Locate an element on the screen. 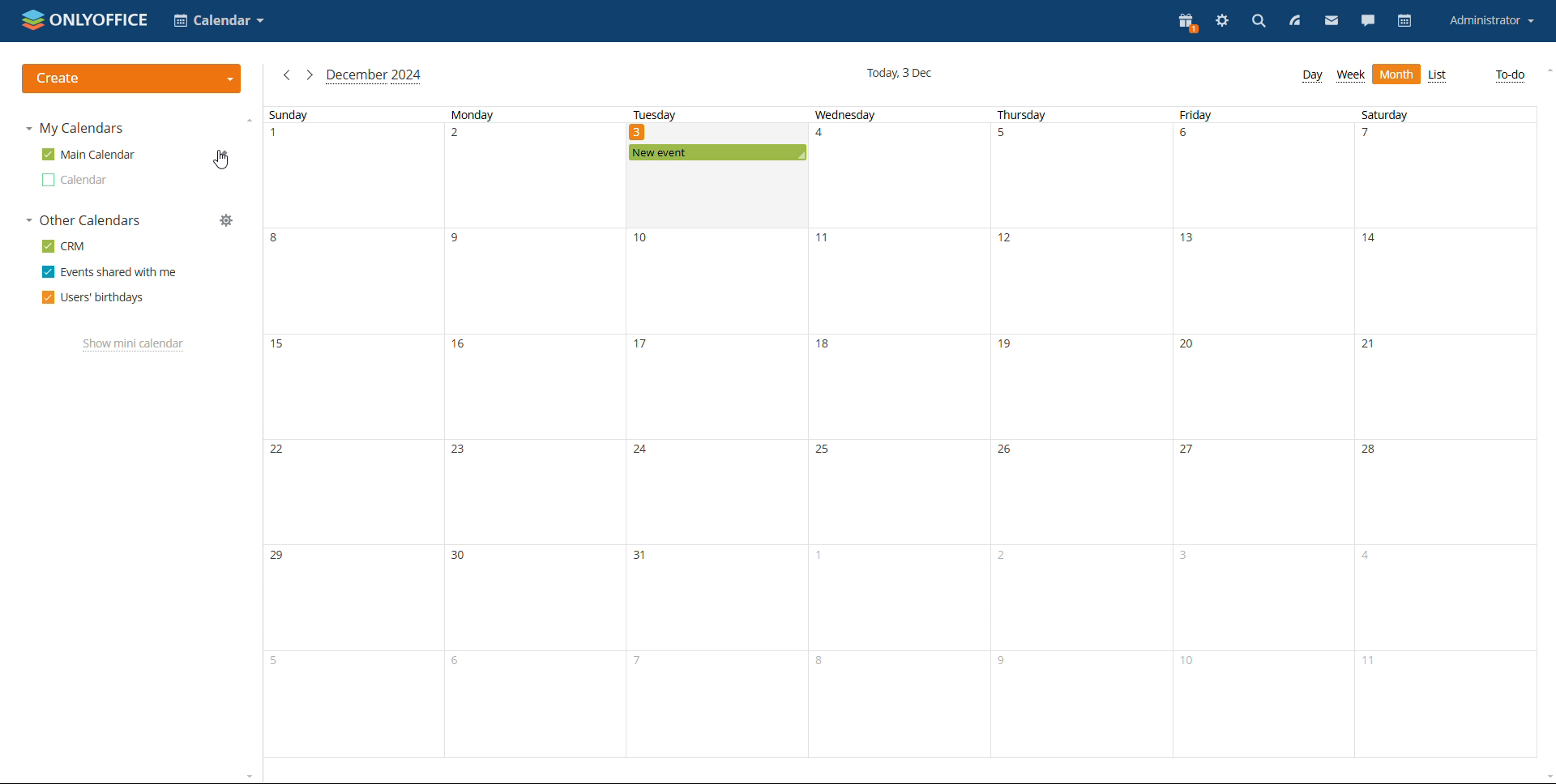  date is located at coordinates (717, 280).